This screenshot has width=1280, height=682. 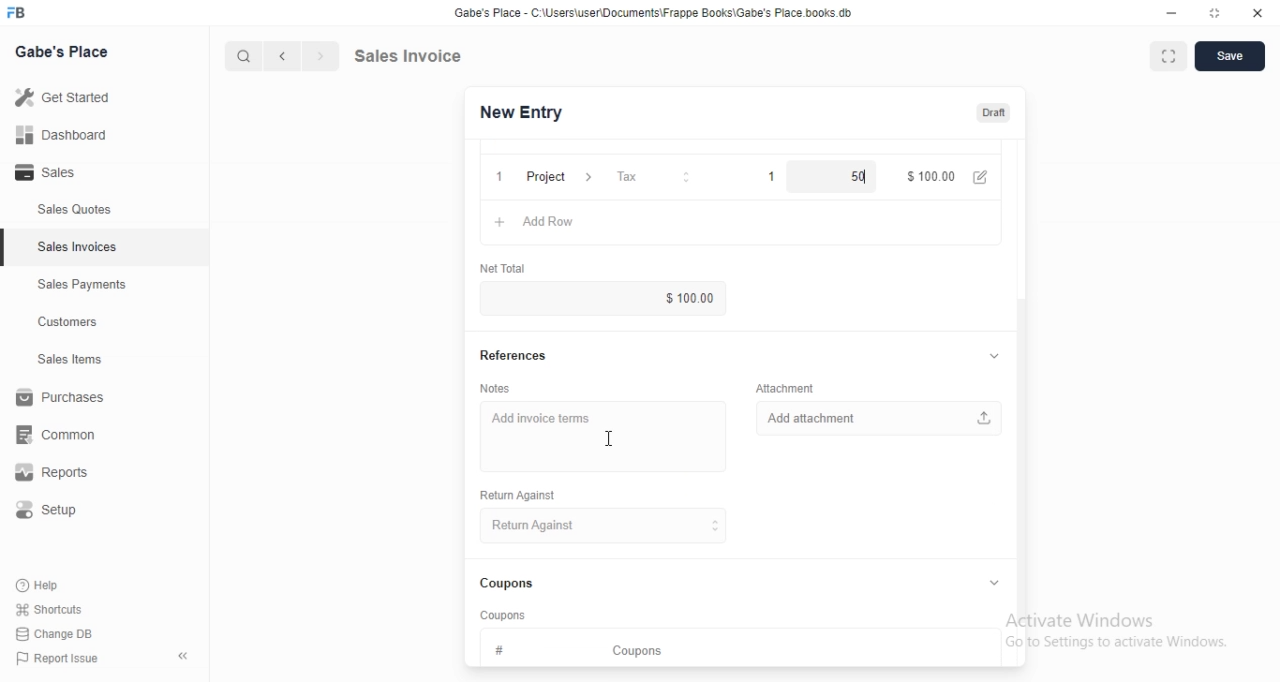 What do you see at coordinates (1163, 15) in the screenshot?
I see `minimize` at bounding box center [1163, 15].